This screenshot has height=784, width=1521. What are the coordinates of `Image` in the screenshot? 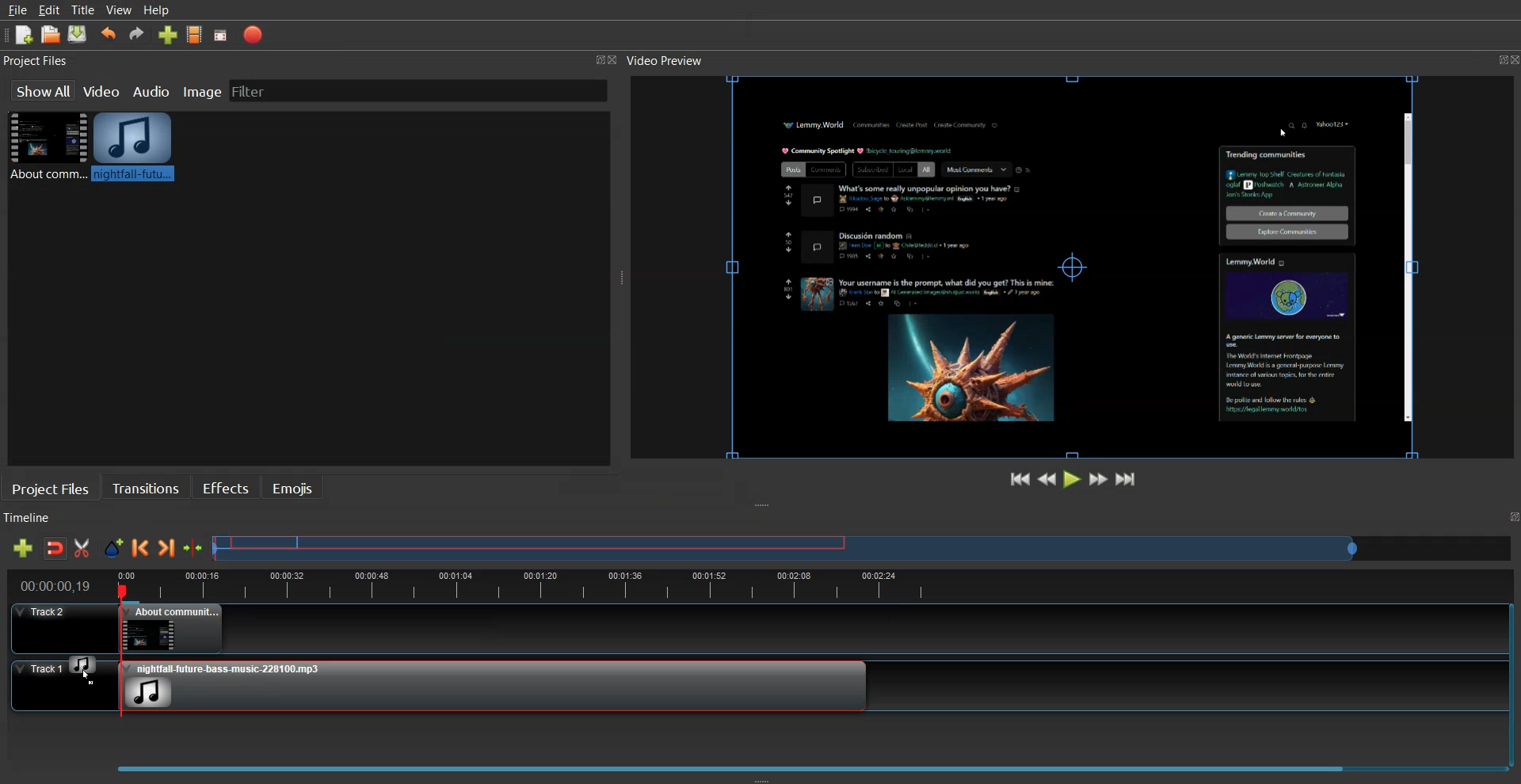 It's located at (202, 89).